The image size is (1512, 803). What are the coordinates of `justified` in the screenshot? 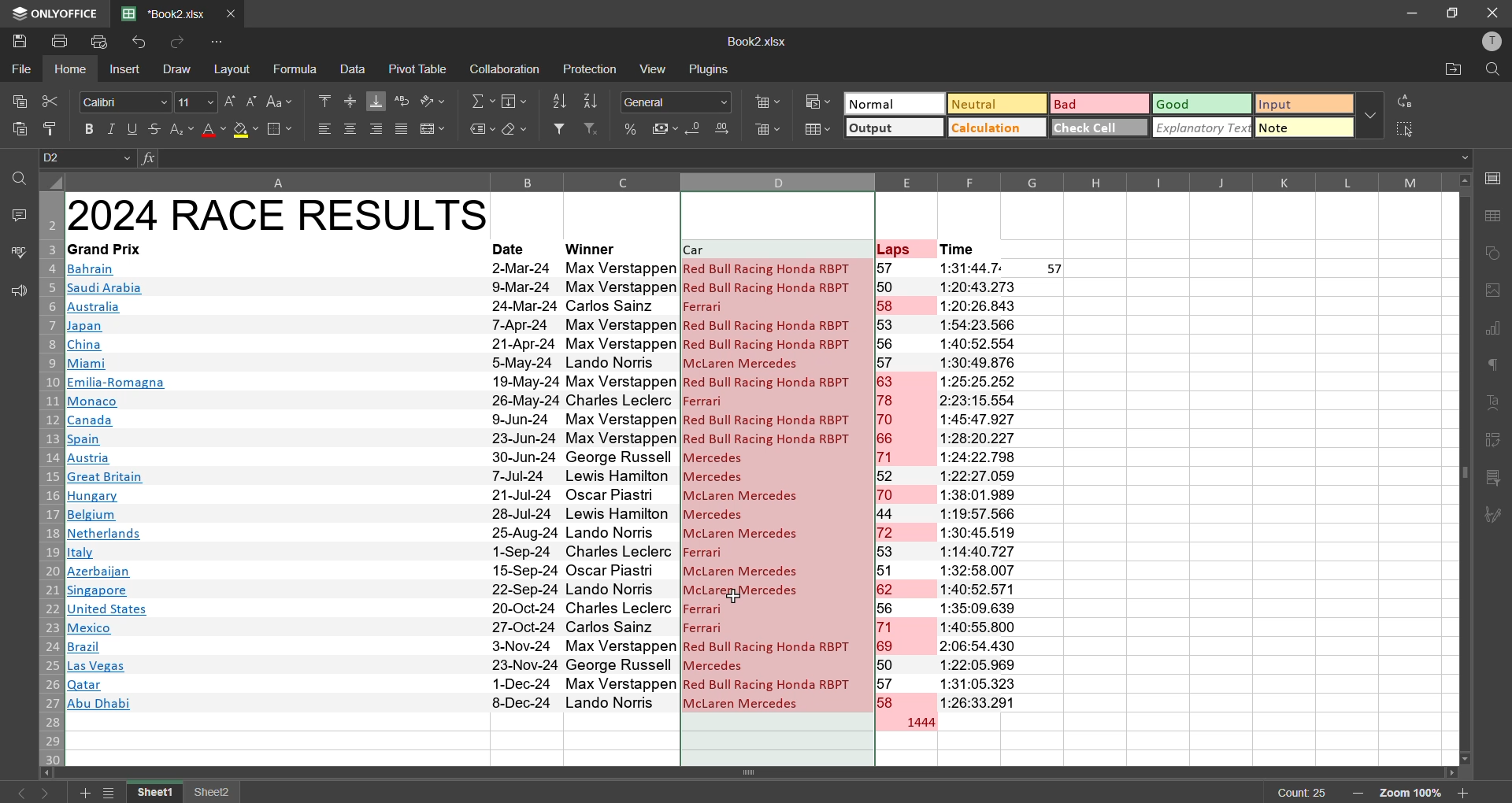 It's located at (402, 131).